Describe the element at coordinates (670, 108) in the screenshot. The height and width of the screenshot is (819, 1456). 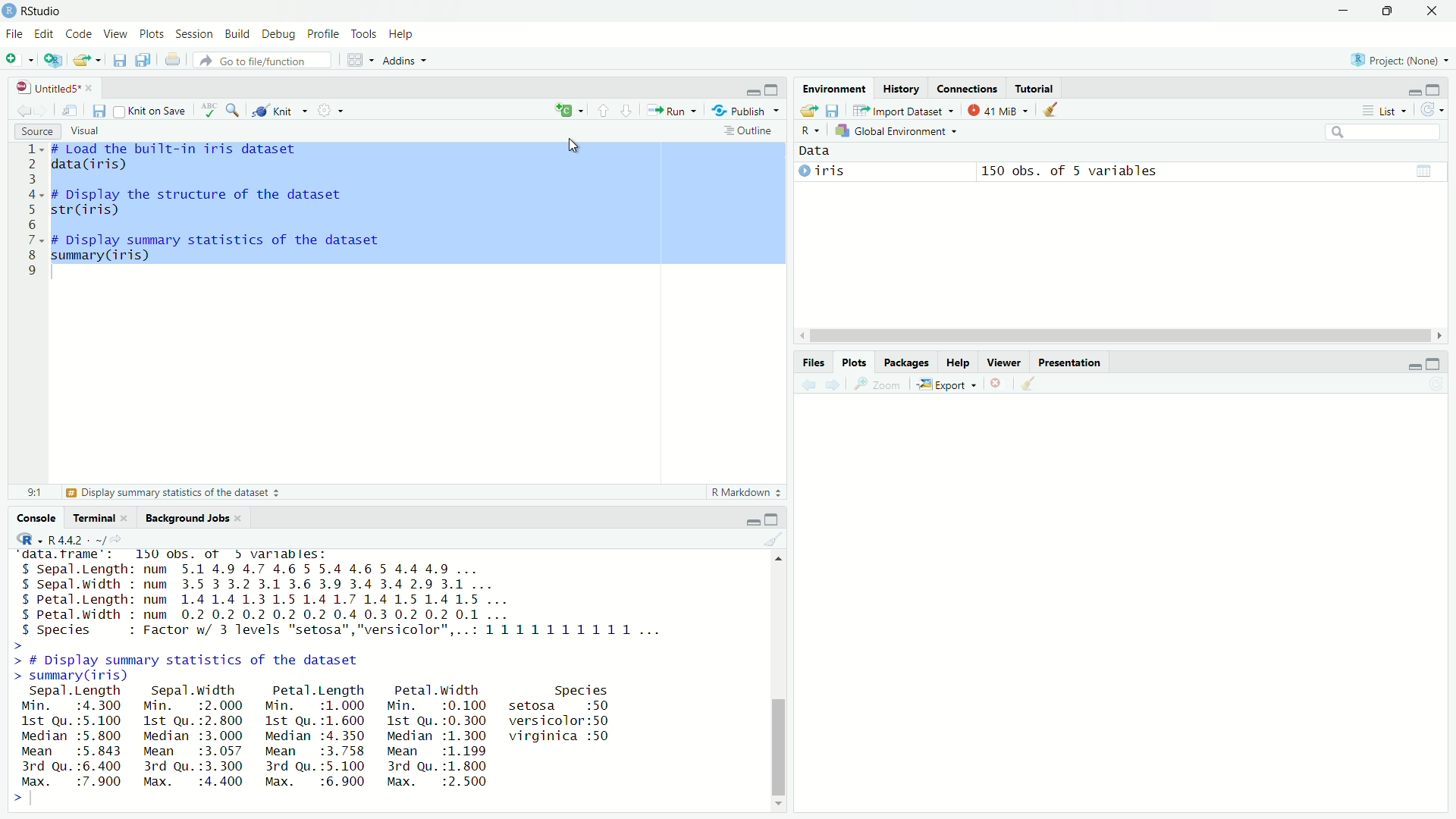
I see `Run current line` at that location.